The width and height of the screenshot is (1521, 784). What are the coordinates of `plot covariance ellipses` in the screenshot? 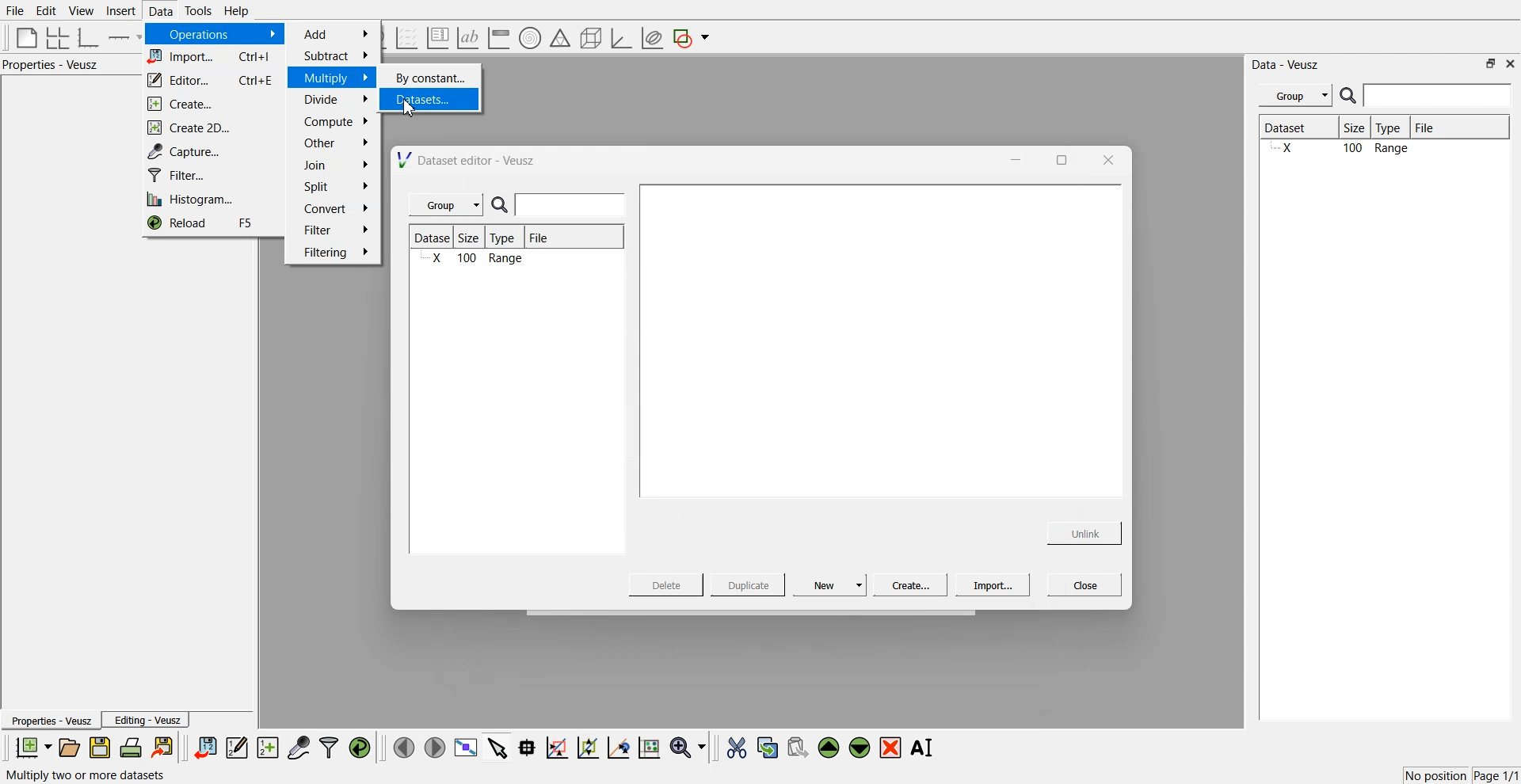 It's located at (651, 39).